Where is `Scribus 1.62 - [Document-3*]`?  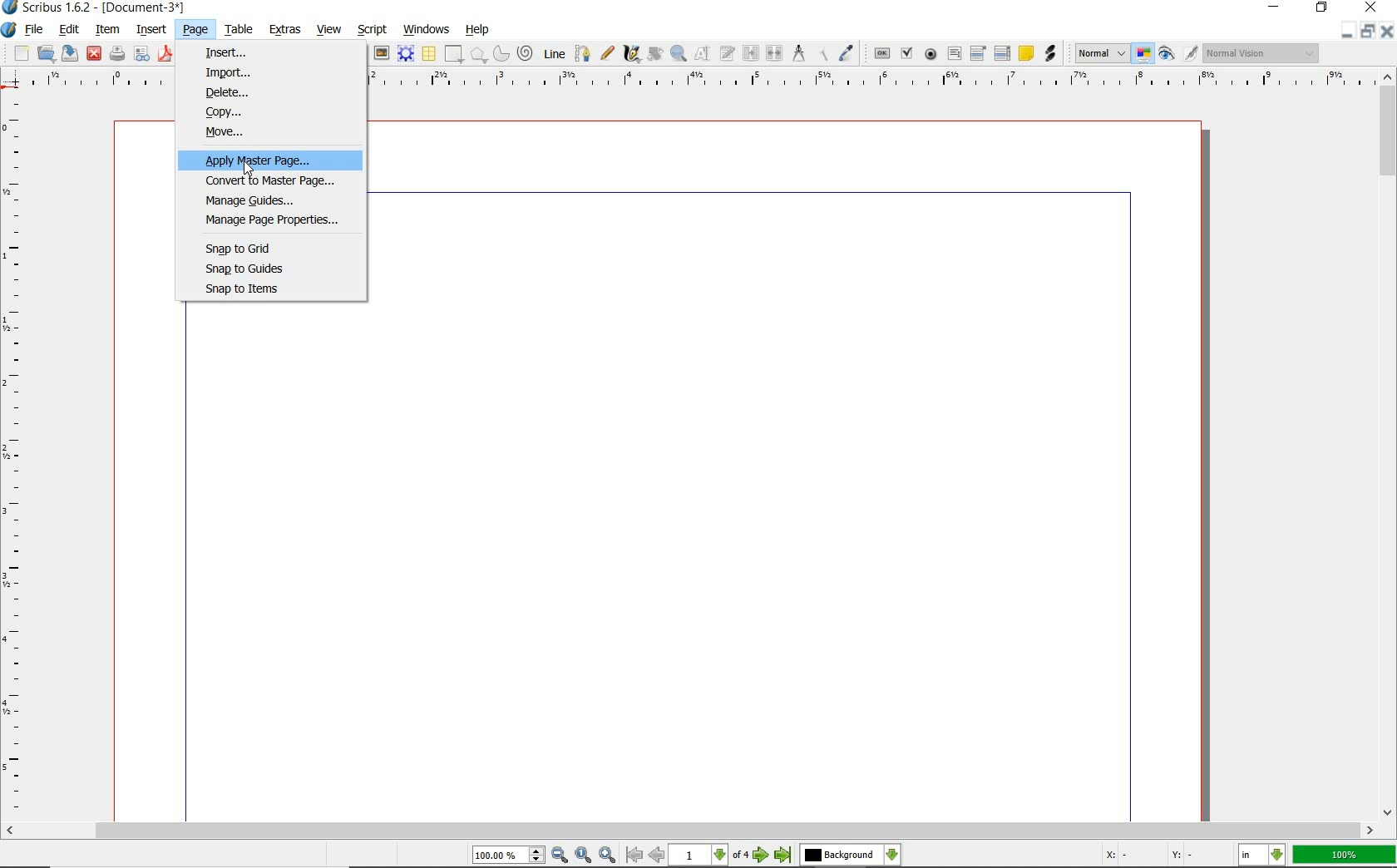
Scribus 1.62 - [Document-3*] is located at coordinates (101, 8).